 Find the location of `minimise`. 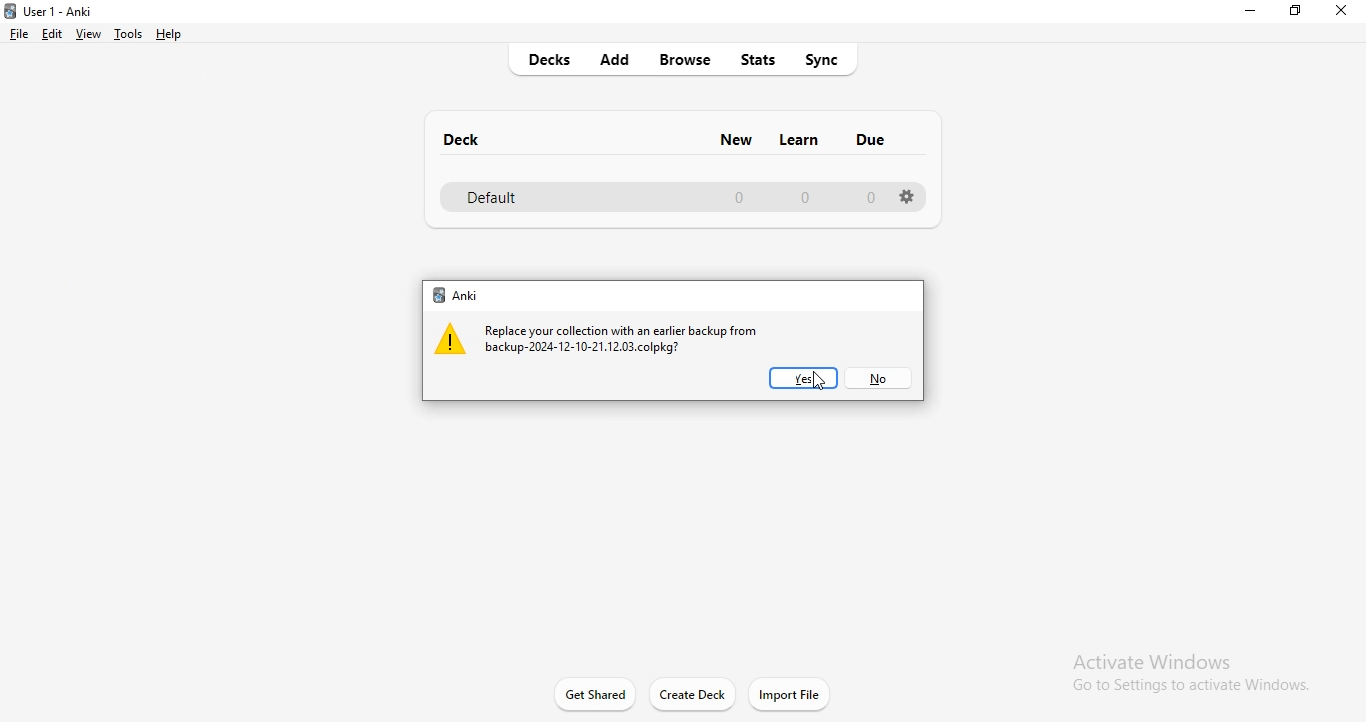

minimise is located at coordinates (1248, 13).